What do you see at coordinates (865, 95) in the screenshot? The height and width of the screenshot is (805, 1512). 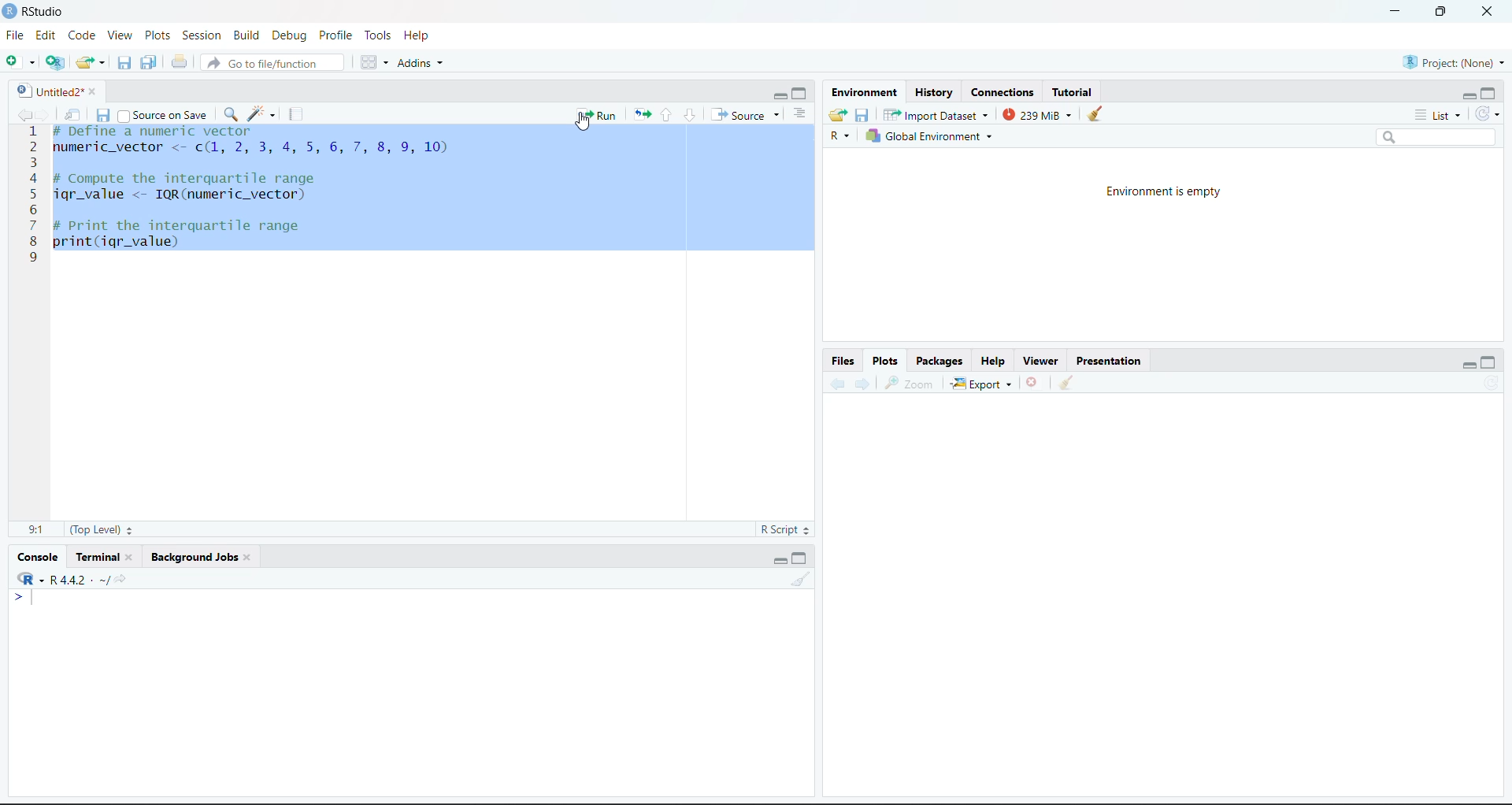 I see `Environment` at bounding box center [865, 95].